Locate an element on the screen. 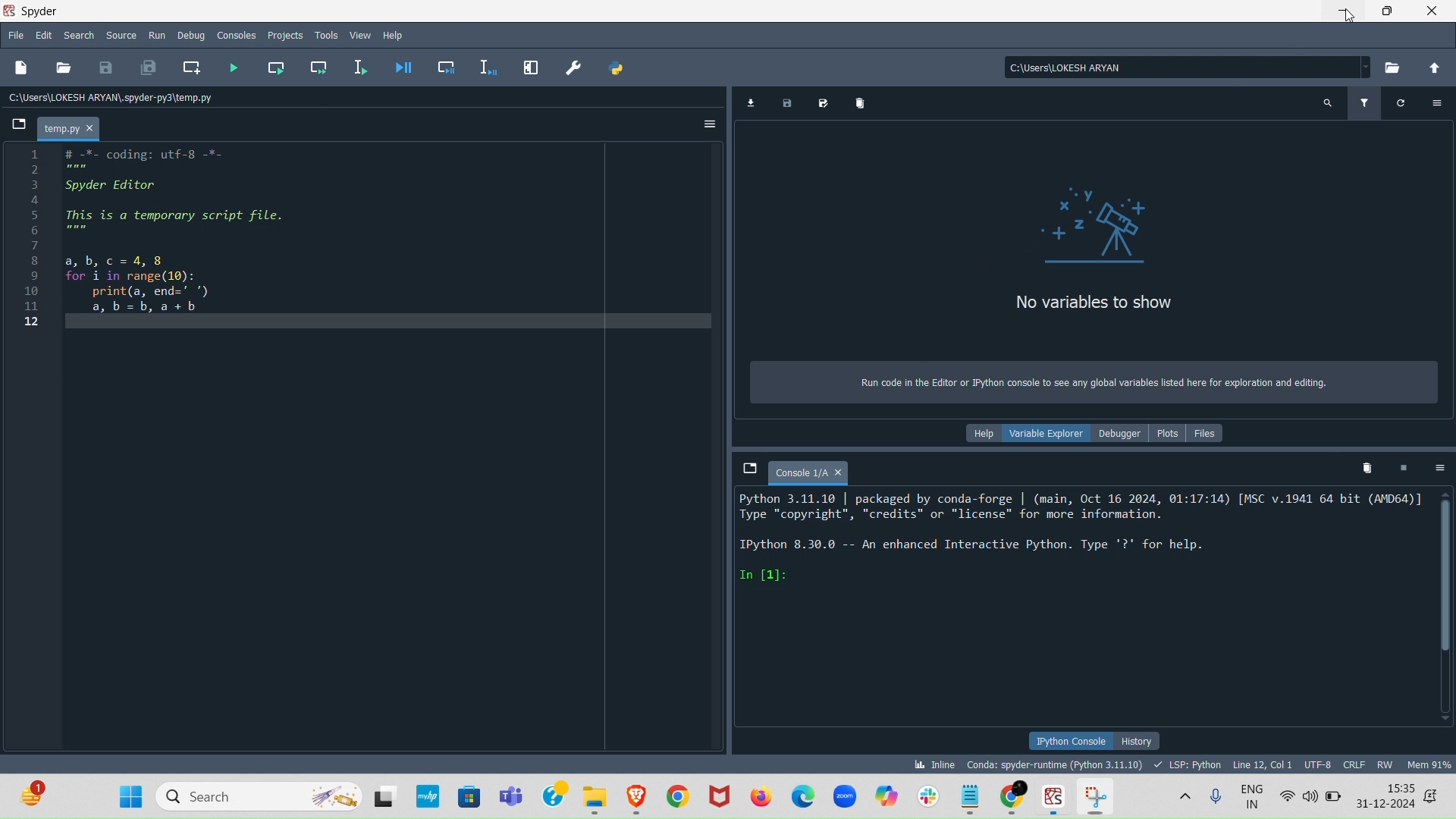  Save data is located at coordinates (784, 104).